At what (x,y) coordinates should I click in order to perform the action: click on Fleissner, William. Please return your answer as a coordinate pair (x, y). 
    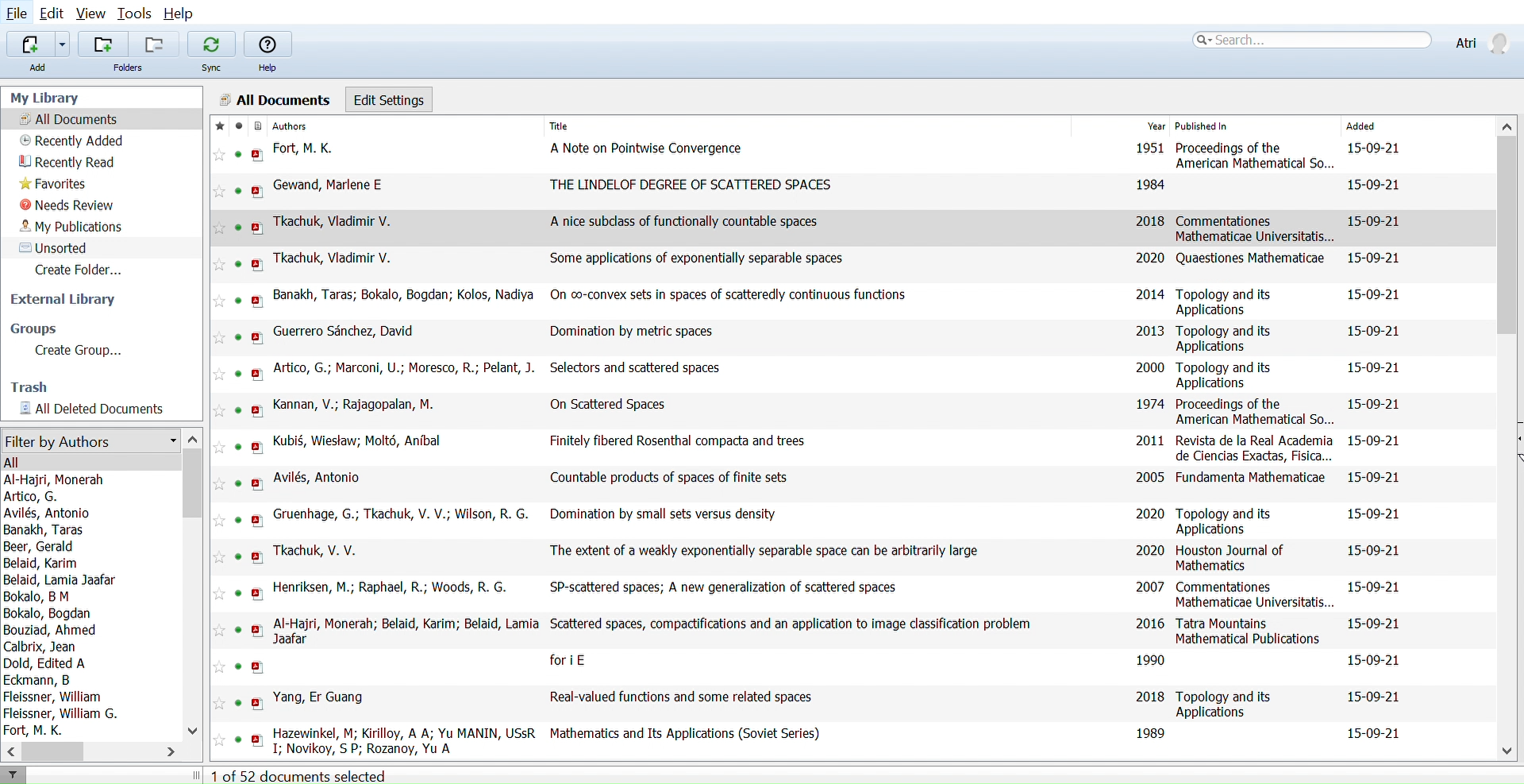
    Looking at the image, I should click on (53, 697).